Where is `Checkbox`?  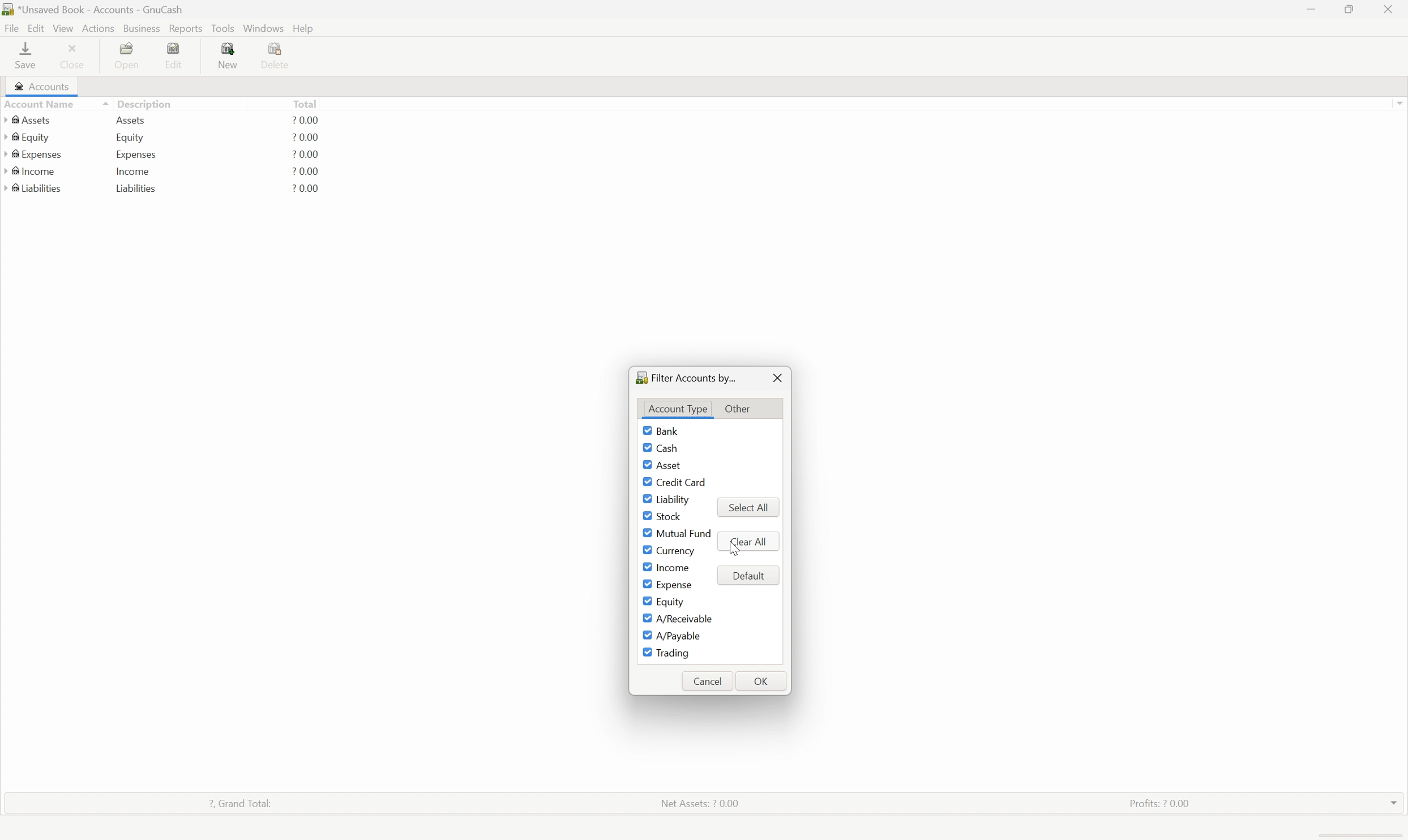 Checkbox is located at coordinates (645, 569).